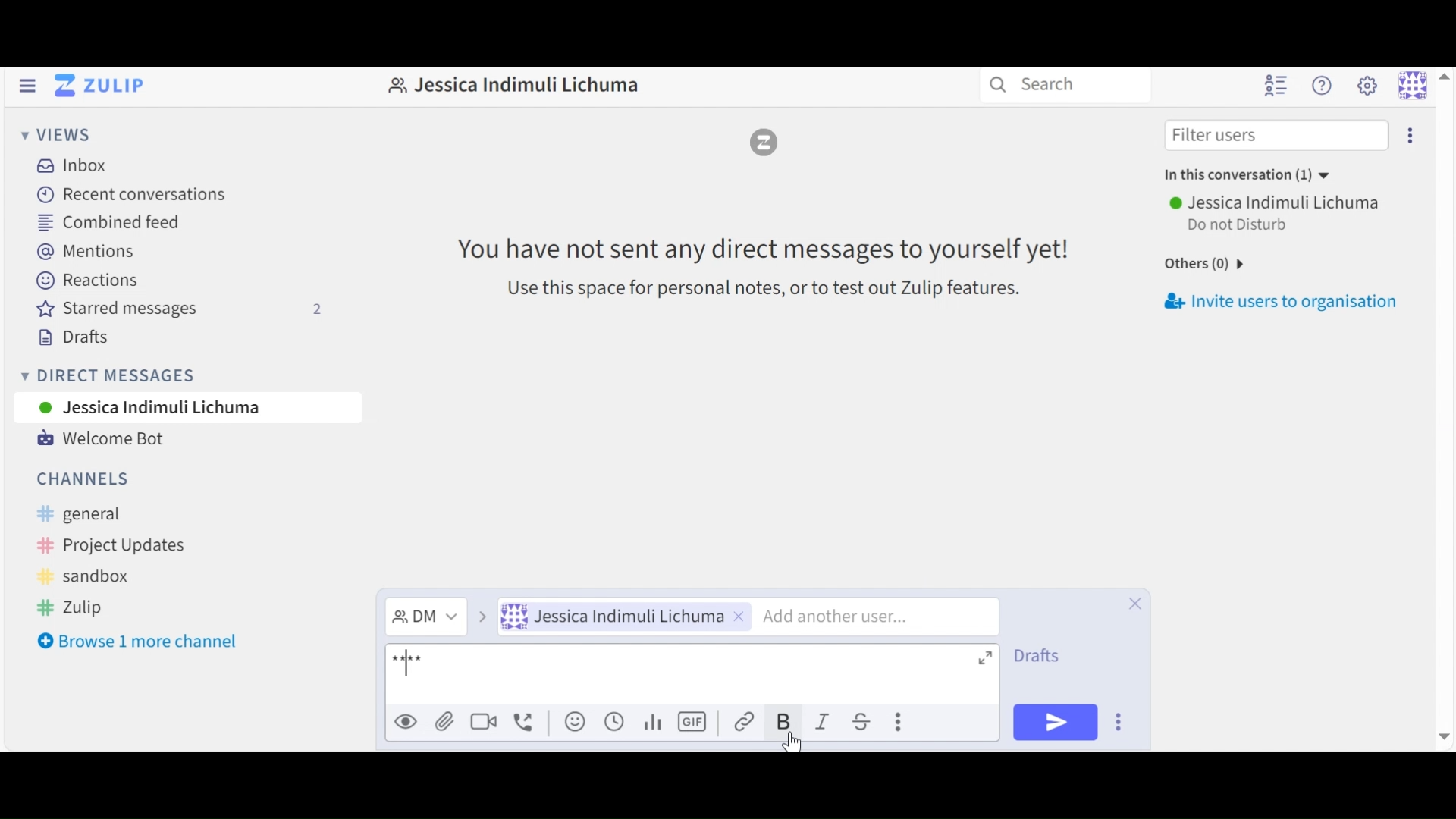 The height and width of the screenshot is (819, 1456). What do you see at coordinates (1132, 601) in the screenshot?
I see `Close` at bounding box center [1132, 601].